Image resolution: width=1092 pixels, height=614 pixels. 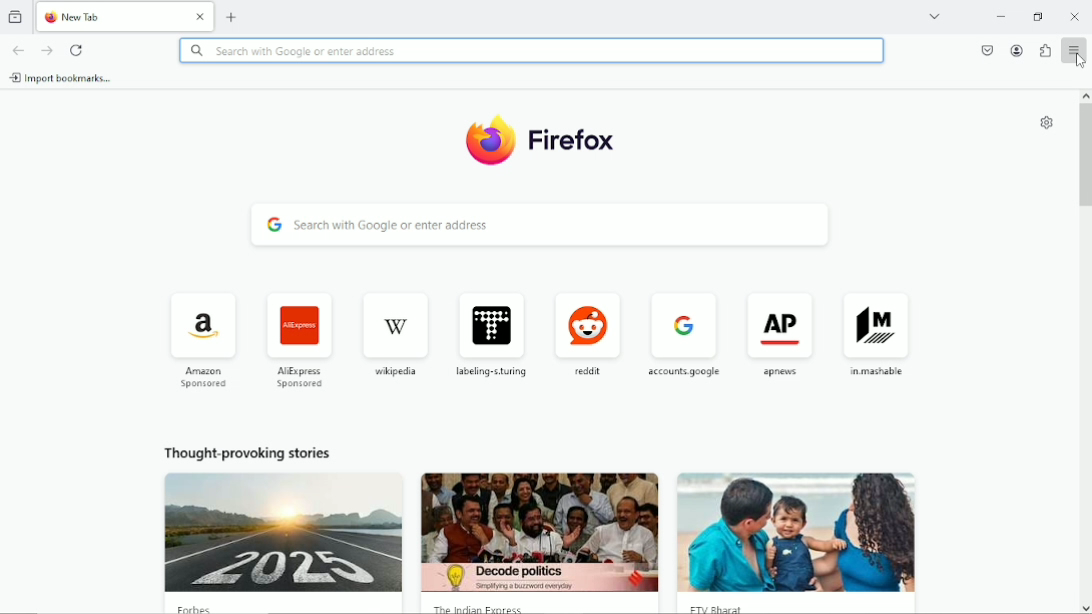 What do you see at coordinates (203, 608) in the screenshot?
I see `forbes` at bounding box center [203, 608].